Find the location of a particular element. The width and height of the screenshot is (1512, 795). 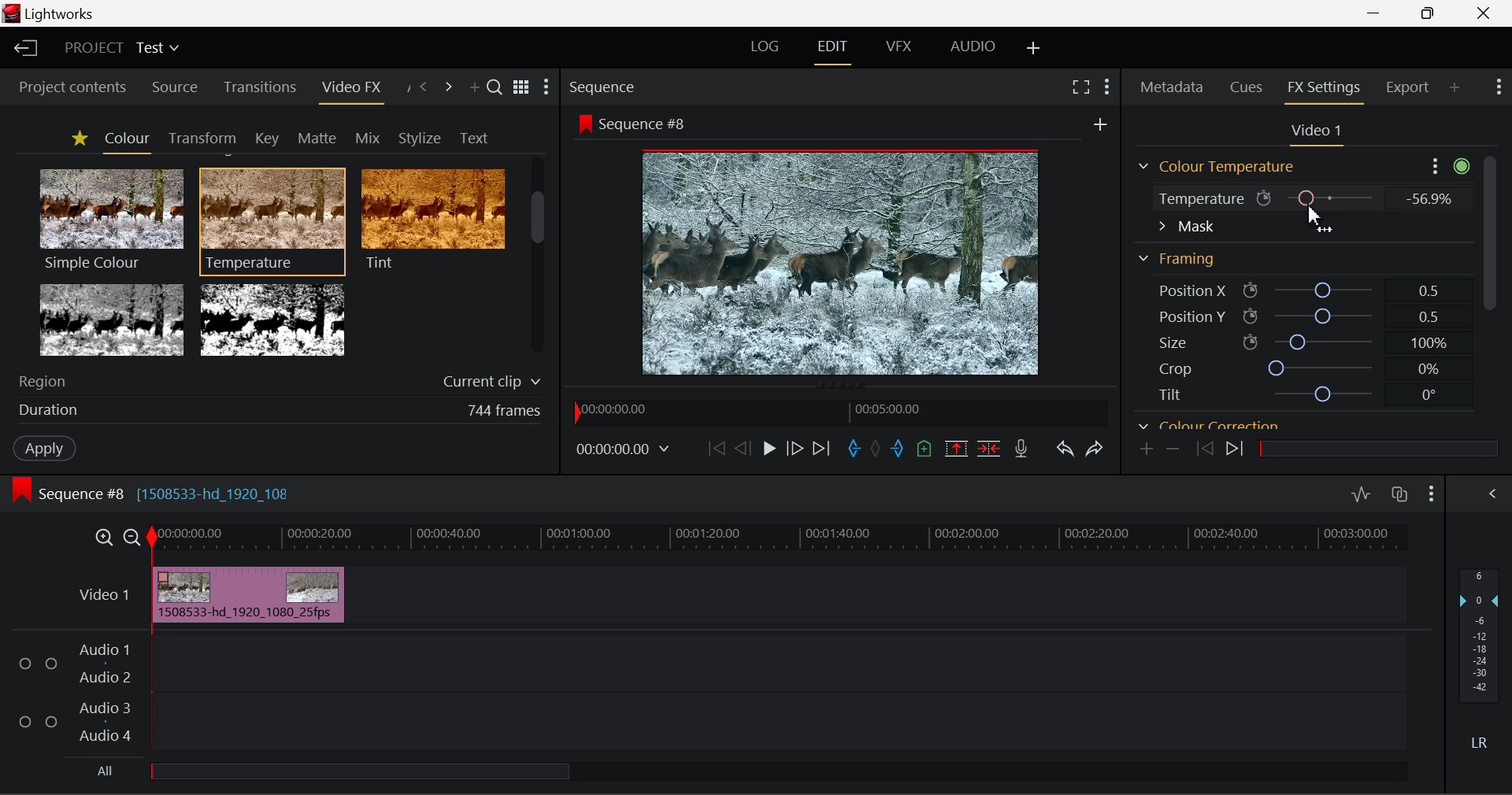

size is located at coordinates (1322, 340).